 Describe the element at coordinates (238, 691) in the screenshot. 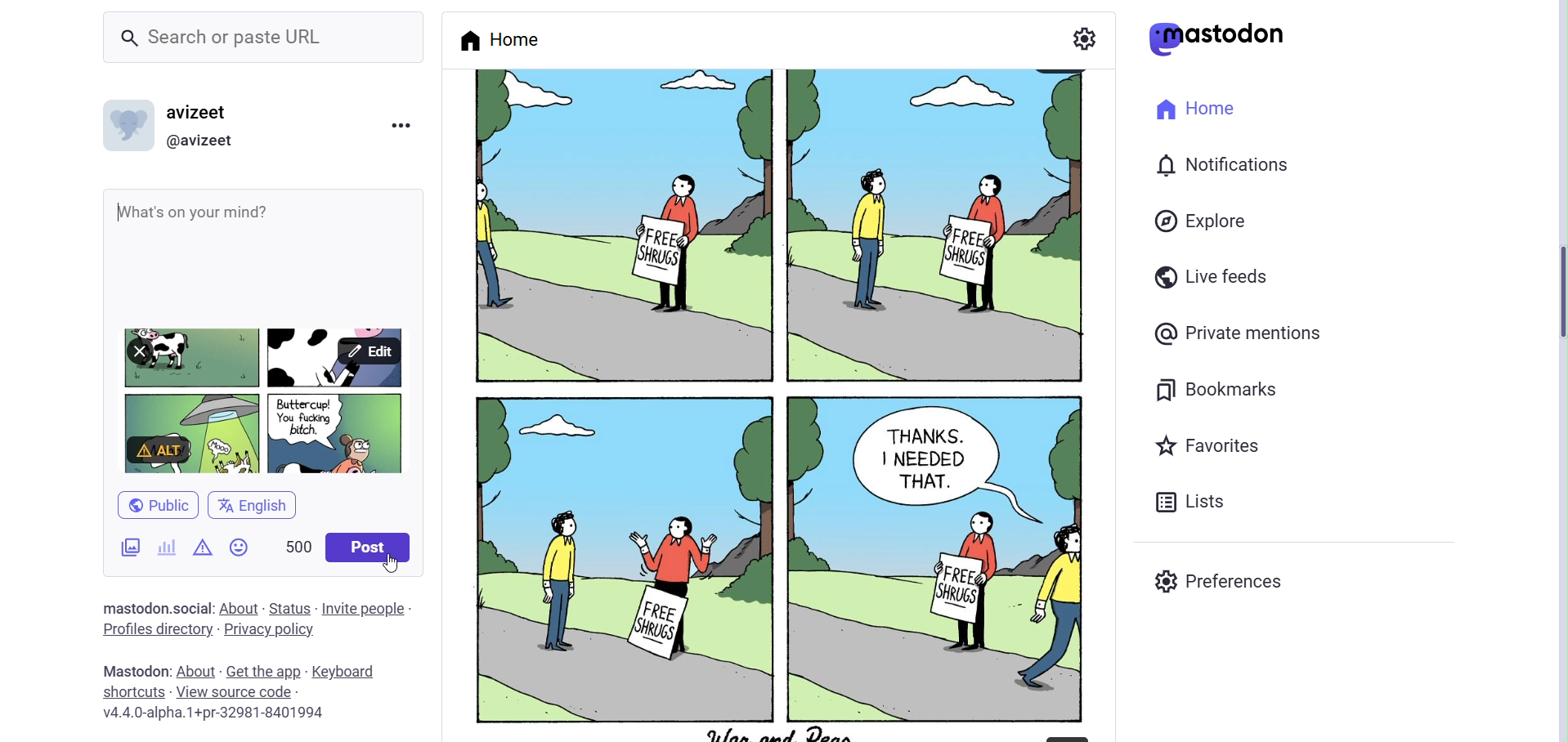

I see `View Source Code` at that location.